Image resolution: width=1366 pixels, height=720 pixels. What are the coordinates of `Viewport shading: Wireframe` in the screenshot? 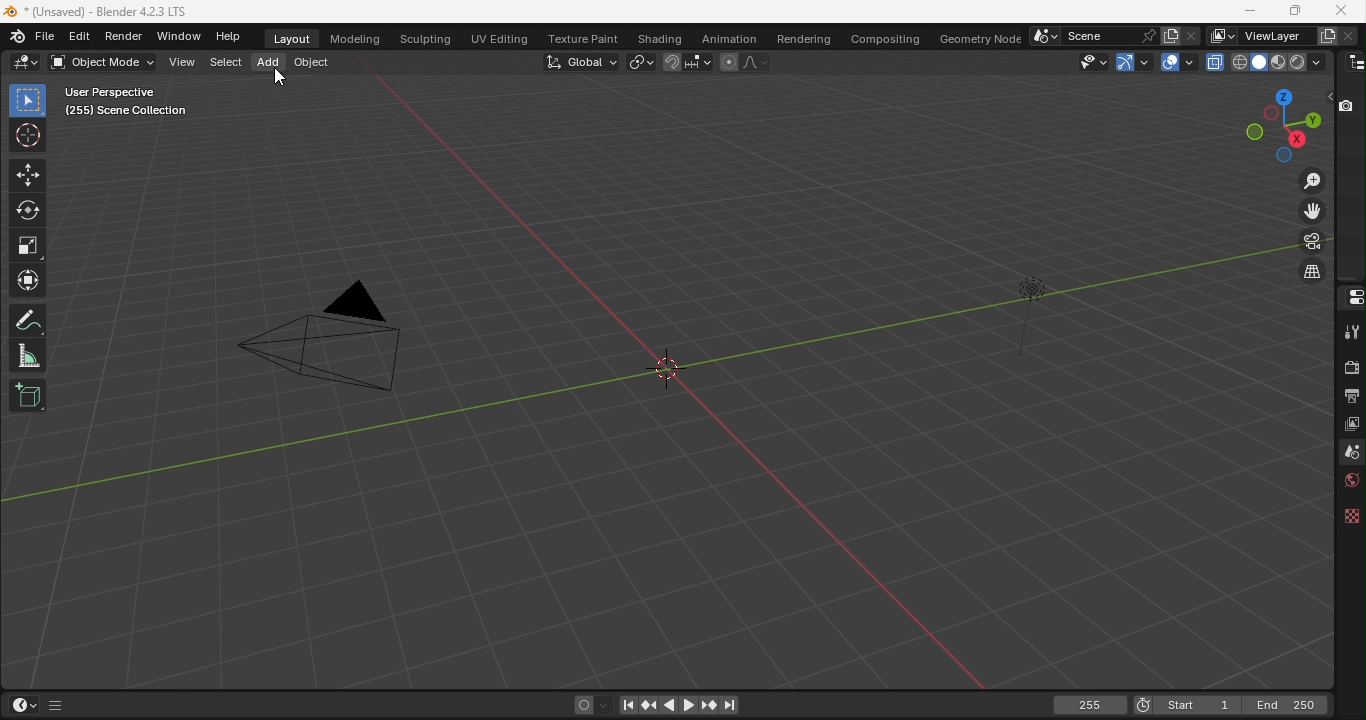 It's located at (1239, 61).